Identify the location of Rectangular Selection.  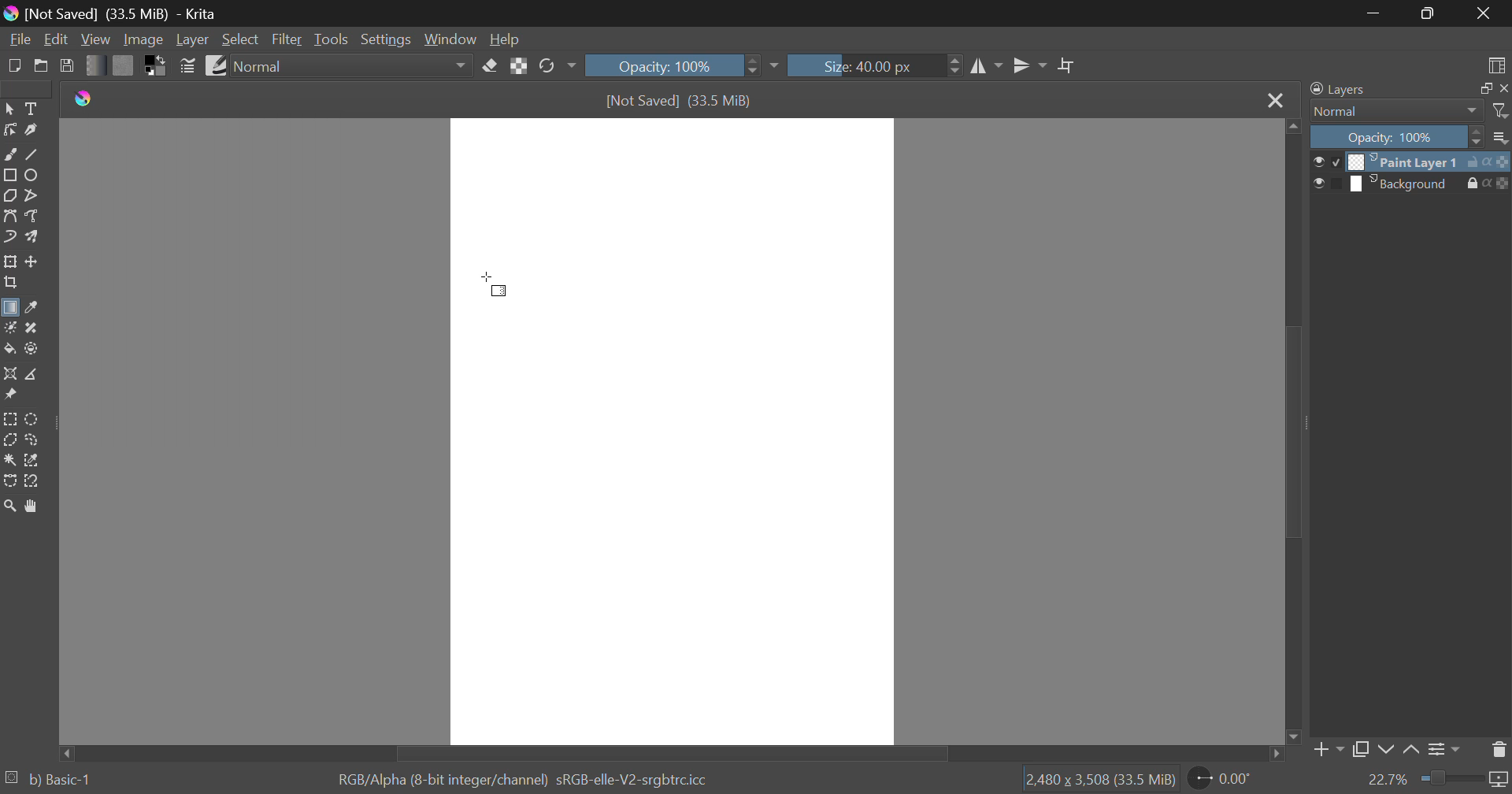
(11, 420).